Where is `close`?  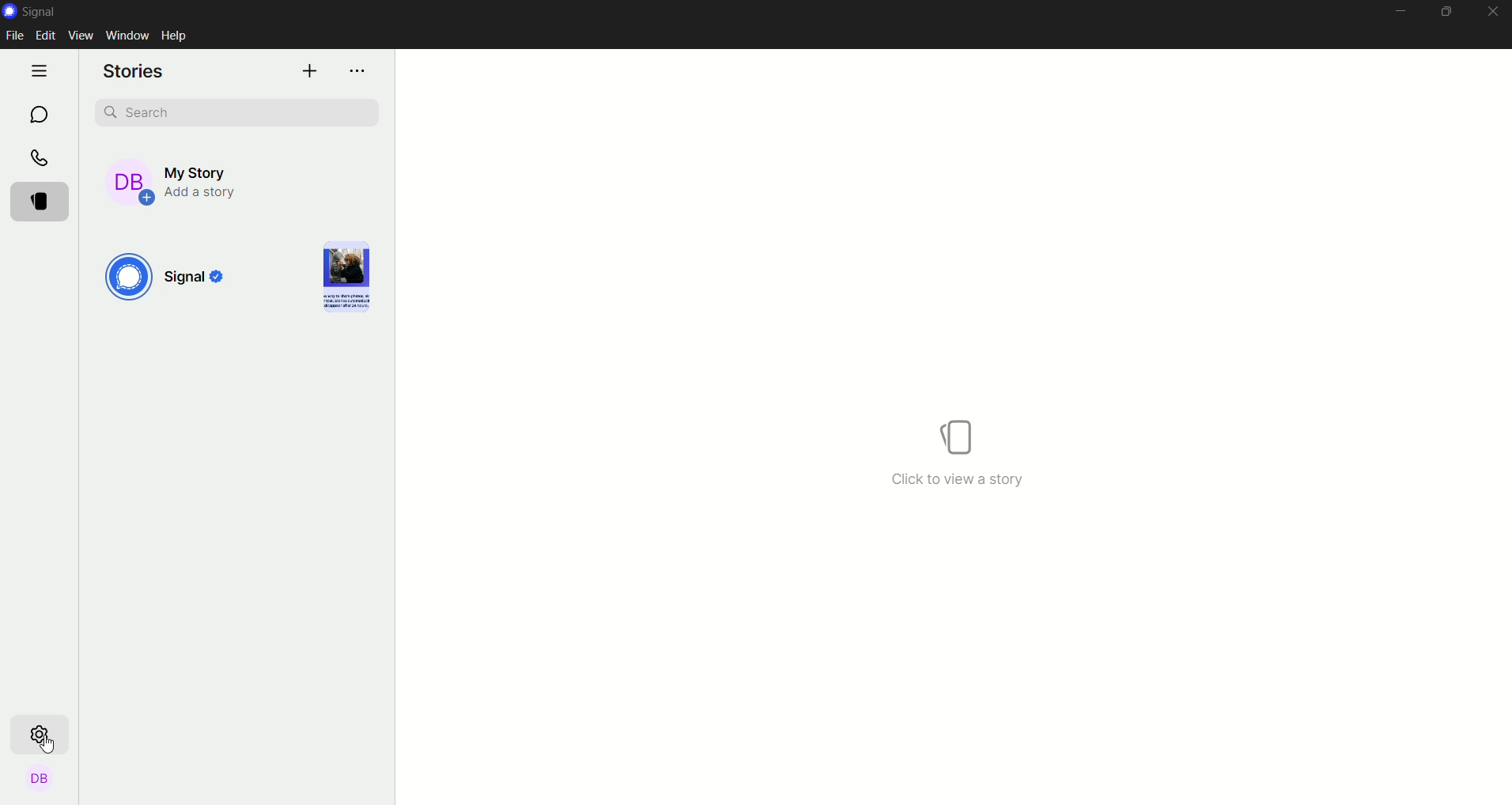 close is located at coordinates (1492, 13).